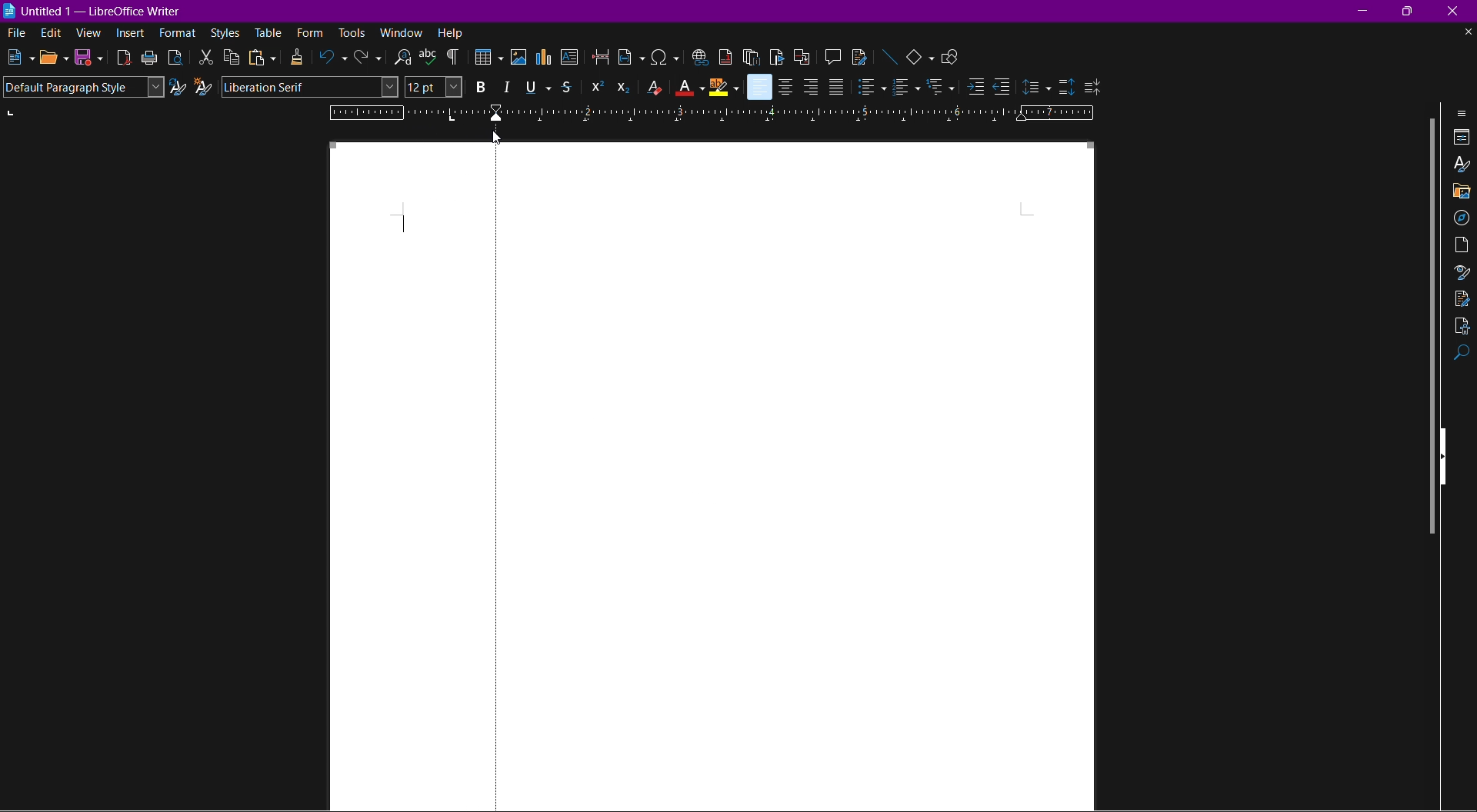 This screenshot has height=812, width=1477. What do you see at coordinates (1462, 245) in the screenshot?
I see `Page` at bounding box center [1462, 245].